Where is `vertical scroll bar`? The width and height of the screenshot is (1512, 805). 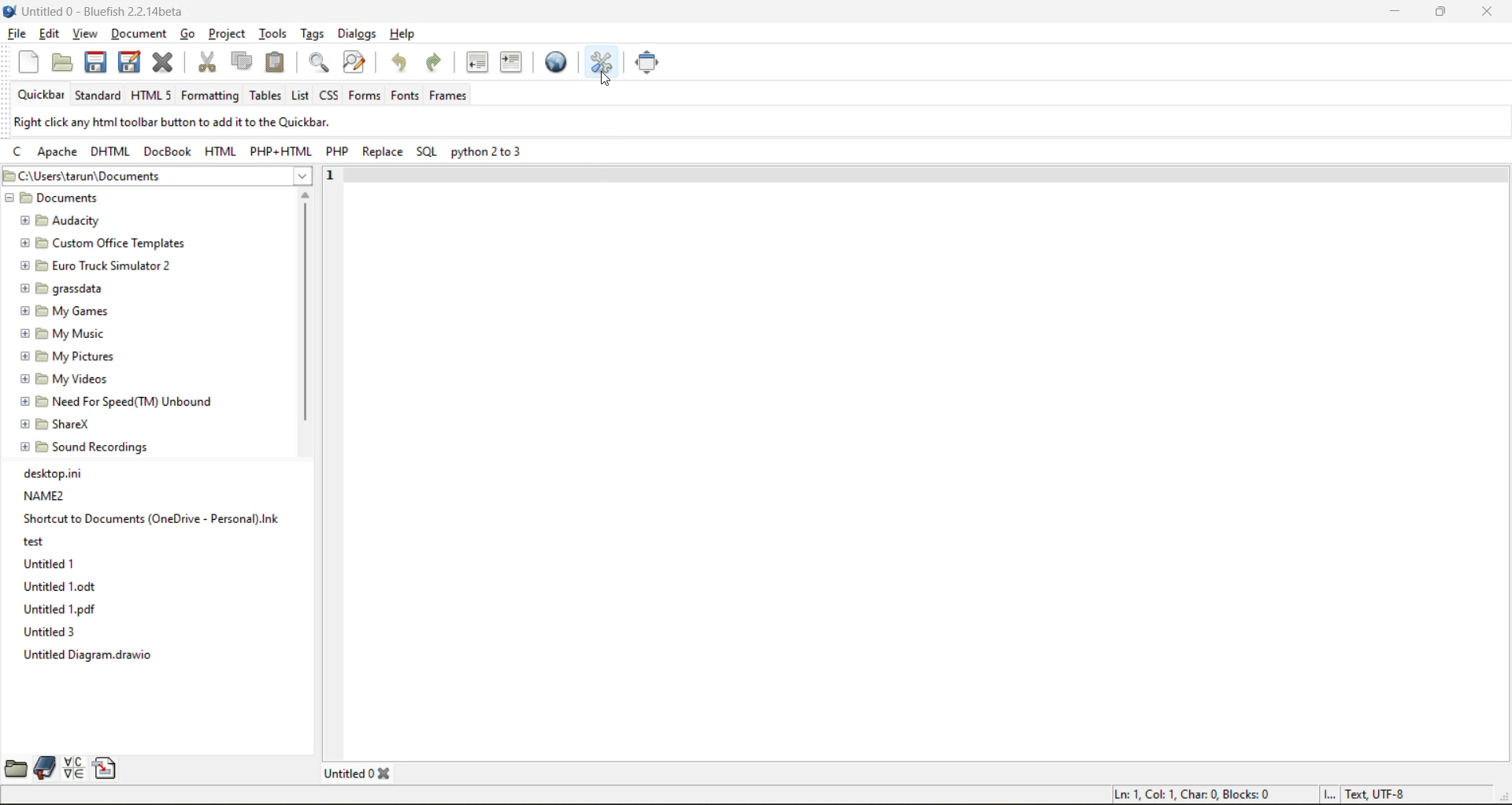
vertical scroll bar is located at coordinates (305, 314).